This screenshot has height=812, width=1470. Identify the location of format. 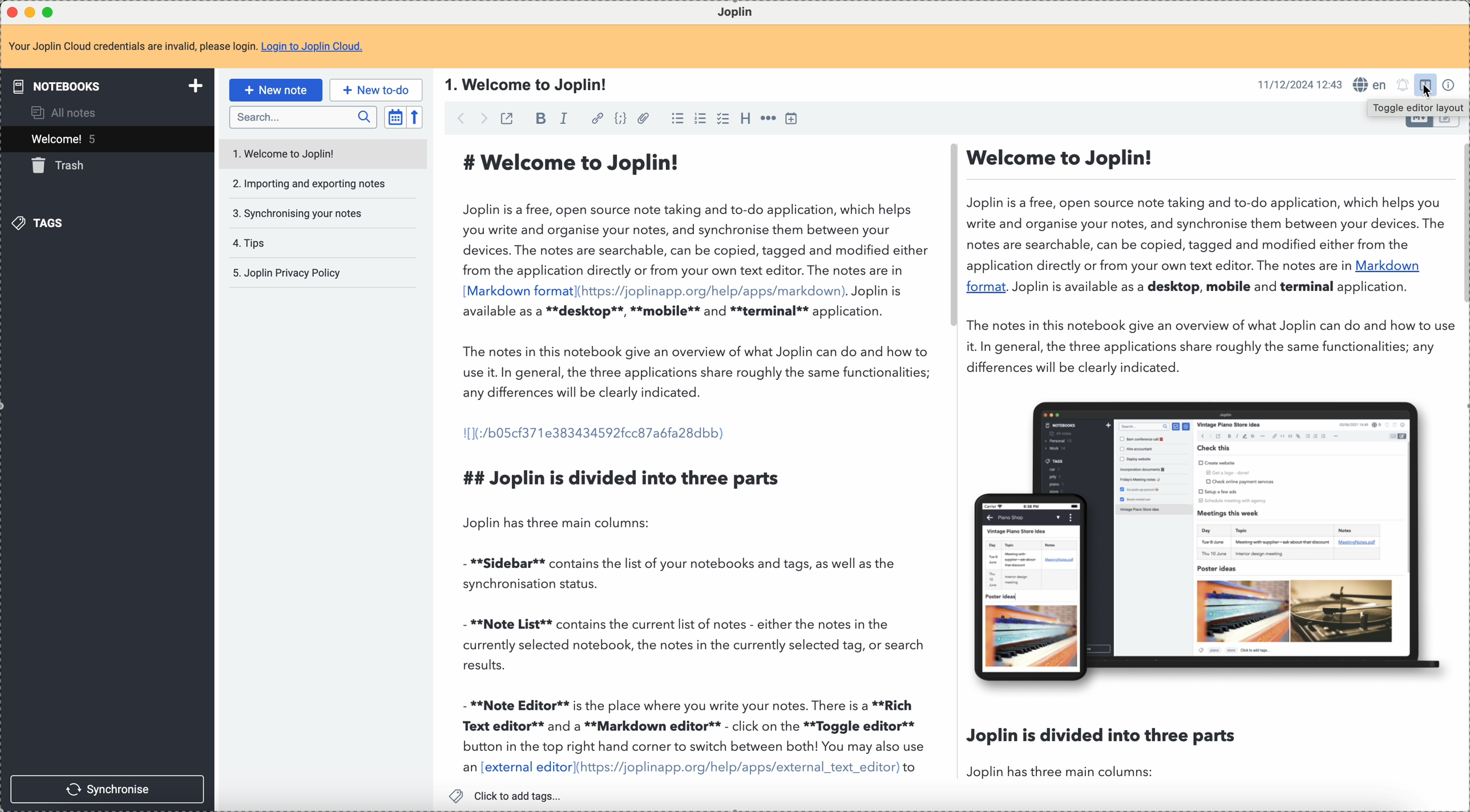
(984, 286).